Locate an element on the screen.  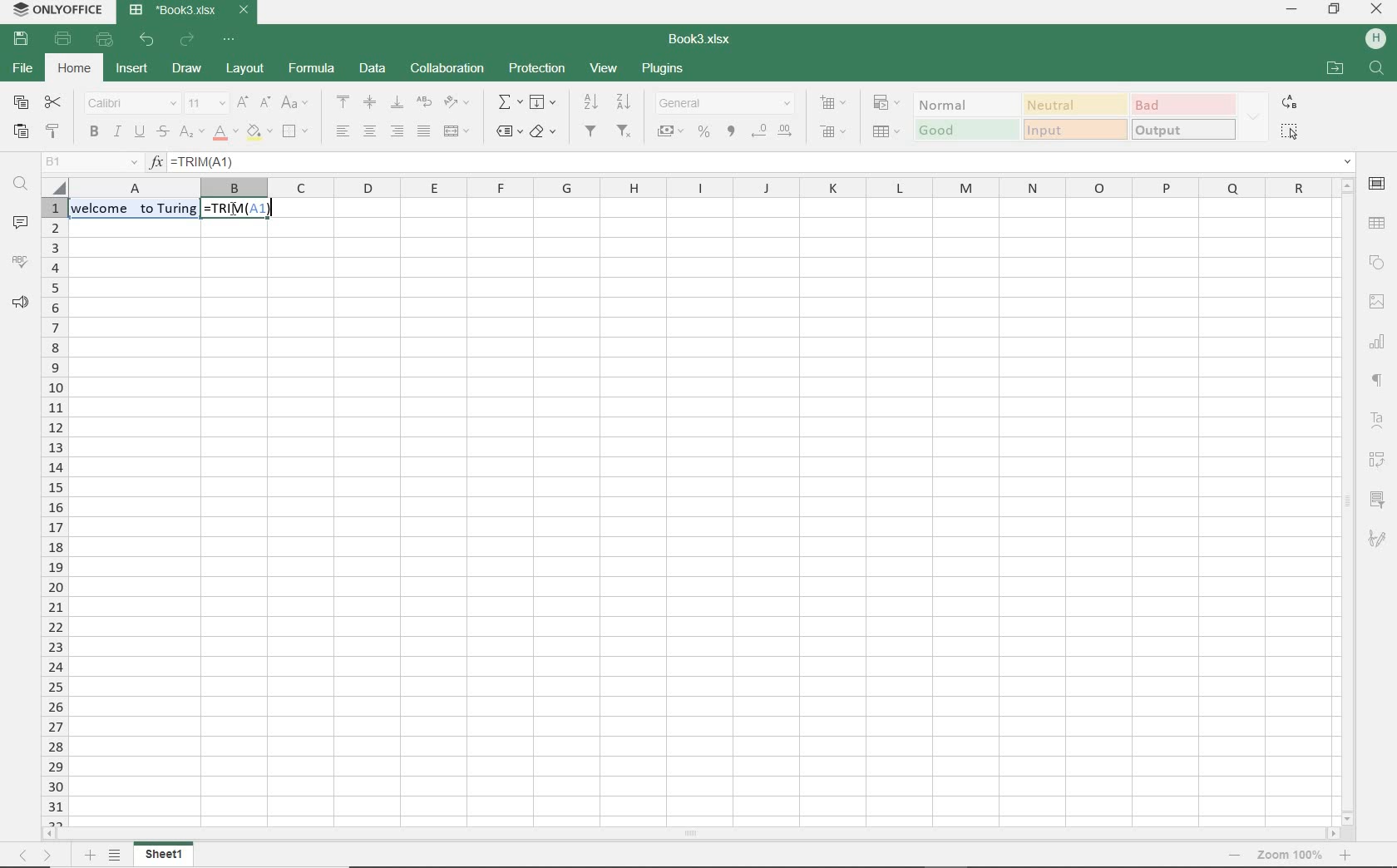
align middle is located at coordinates (369, 102).